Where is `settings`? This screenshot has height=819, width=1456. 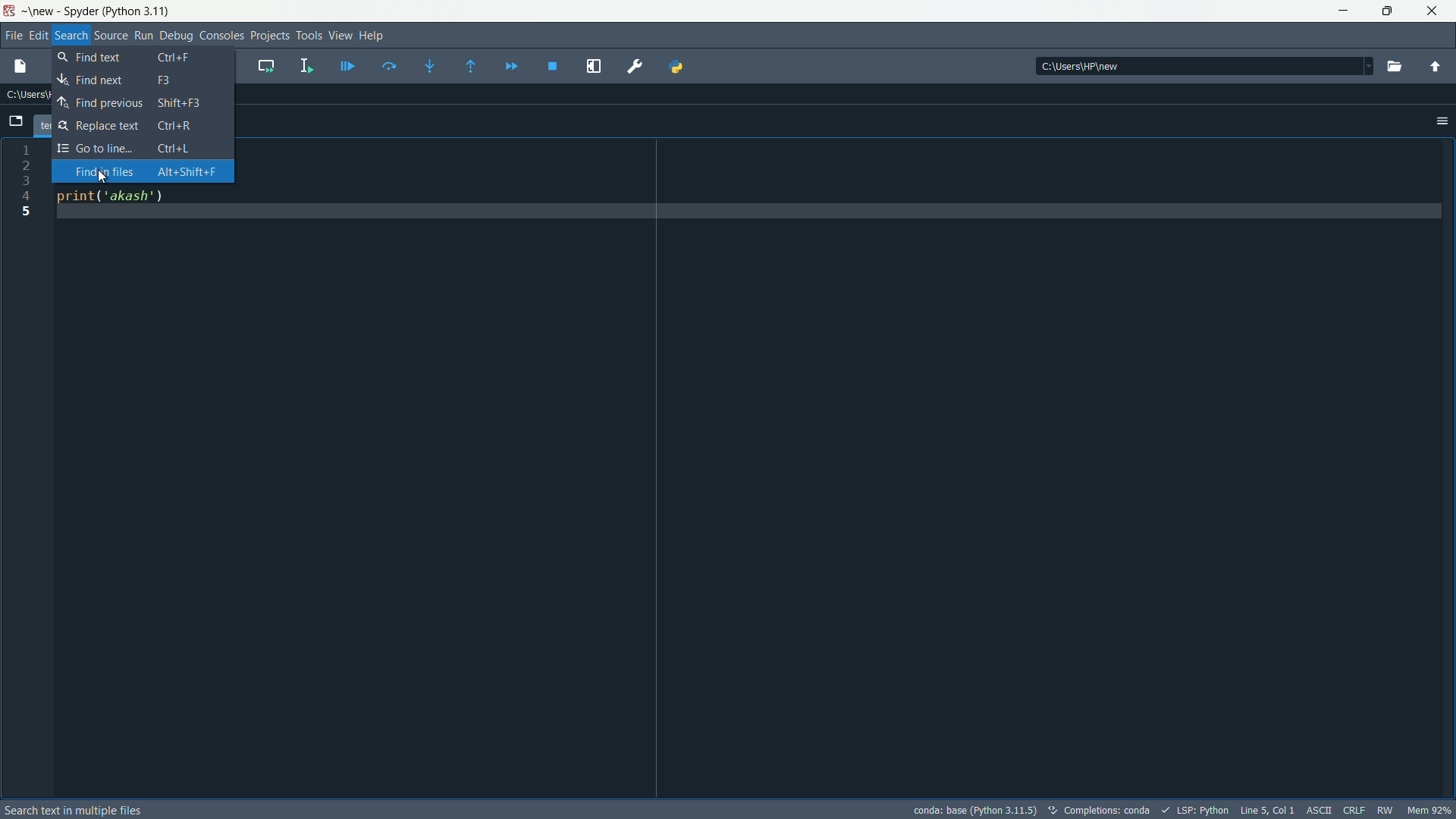
settings is located at coordinates (1441, 121).